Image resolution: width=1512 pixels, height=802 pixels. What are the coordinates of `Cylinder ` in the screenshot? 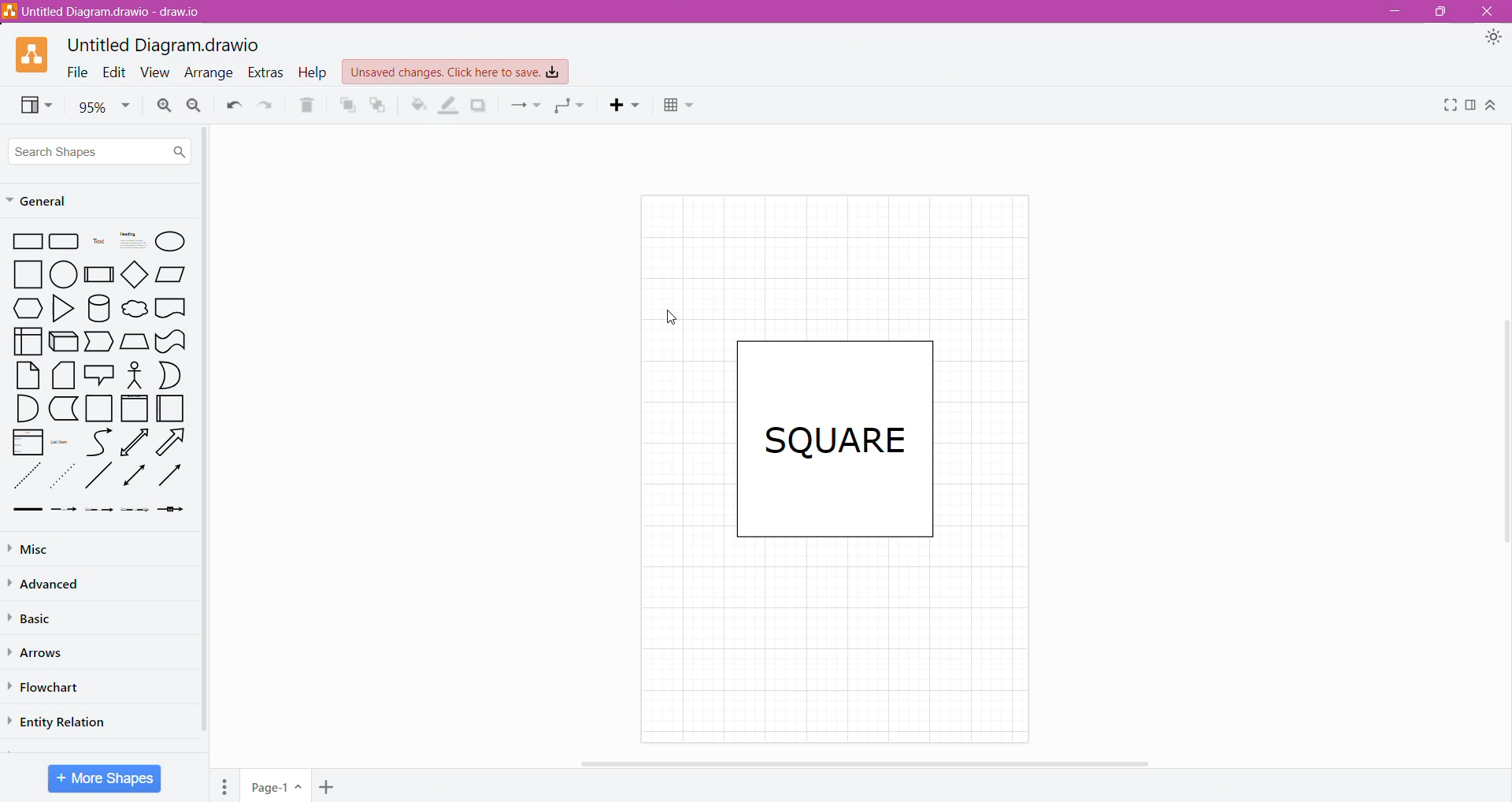 It's located at (98, 307).